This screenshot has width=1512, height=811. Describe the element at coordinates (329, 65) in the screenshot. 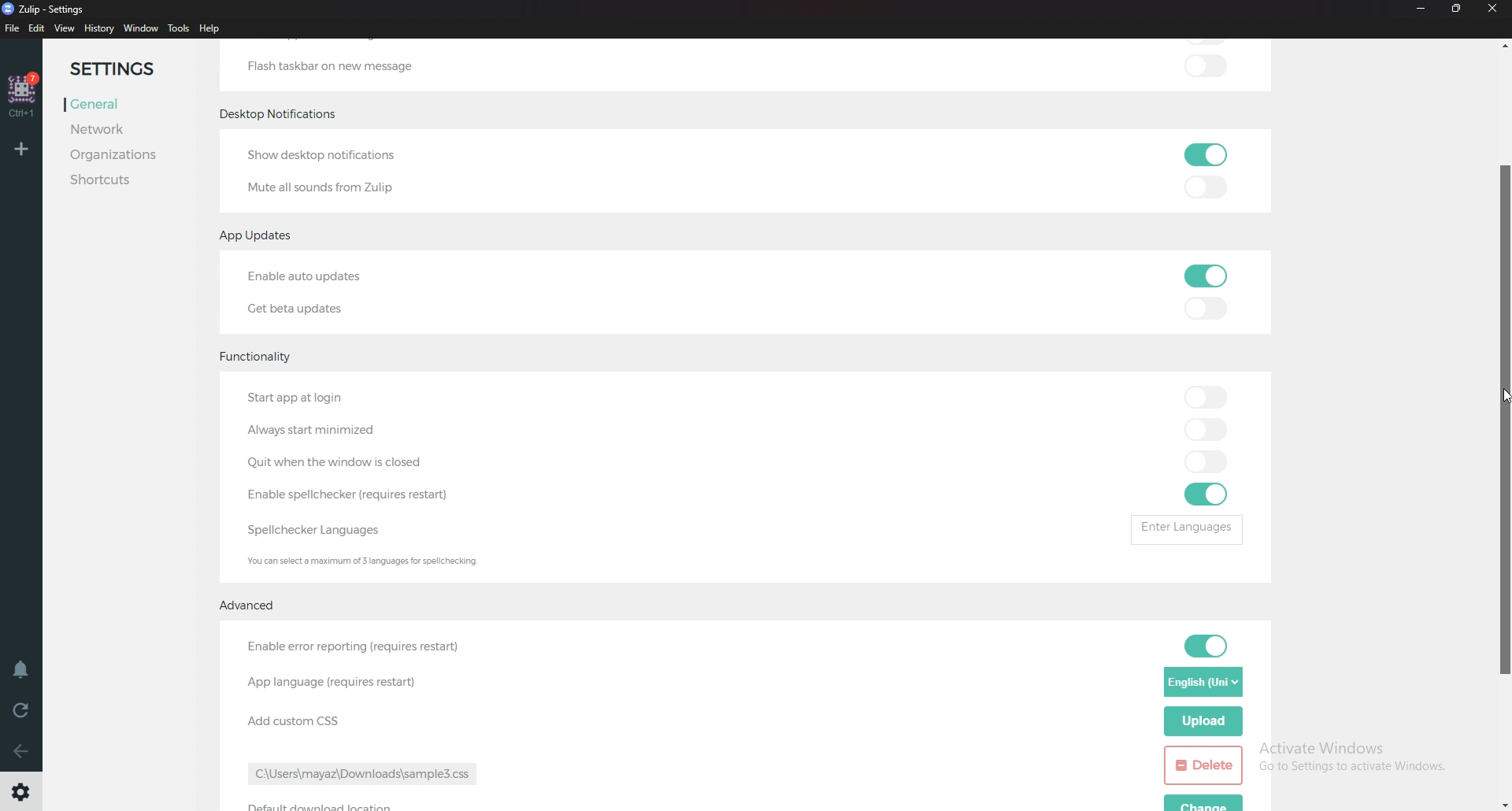

I see `Flash taskbar on new message` at that location.